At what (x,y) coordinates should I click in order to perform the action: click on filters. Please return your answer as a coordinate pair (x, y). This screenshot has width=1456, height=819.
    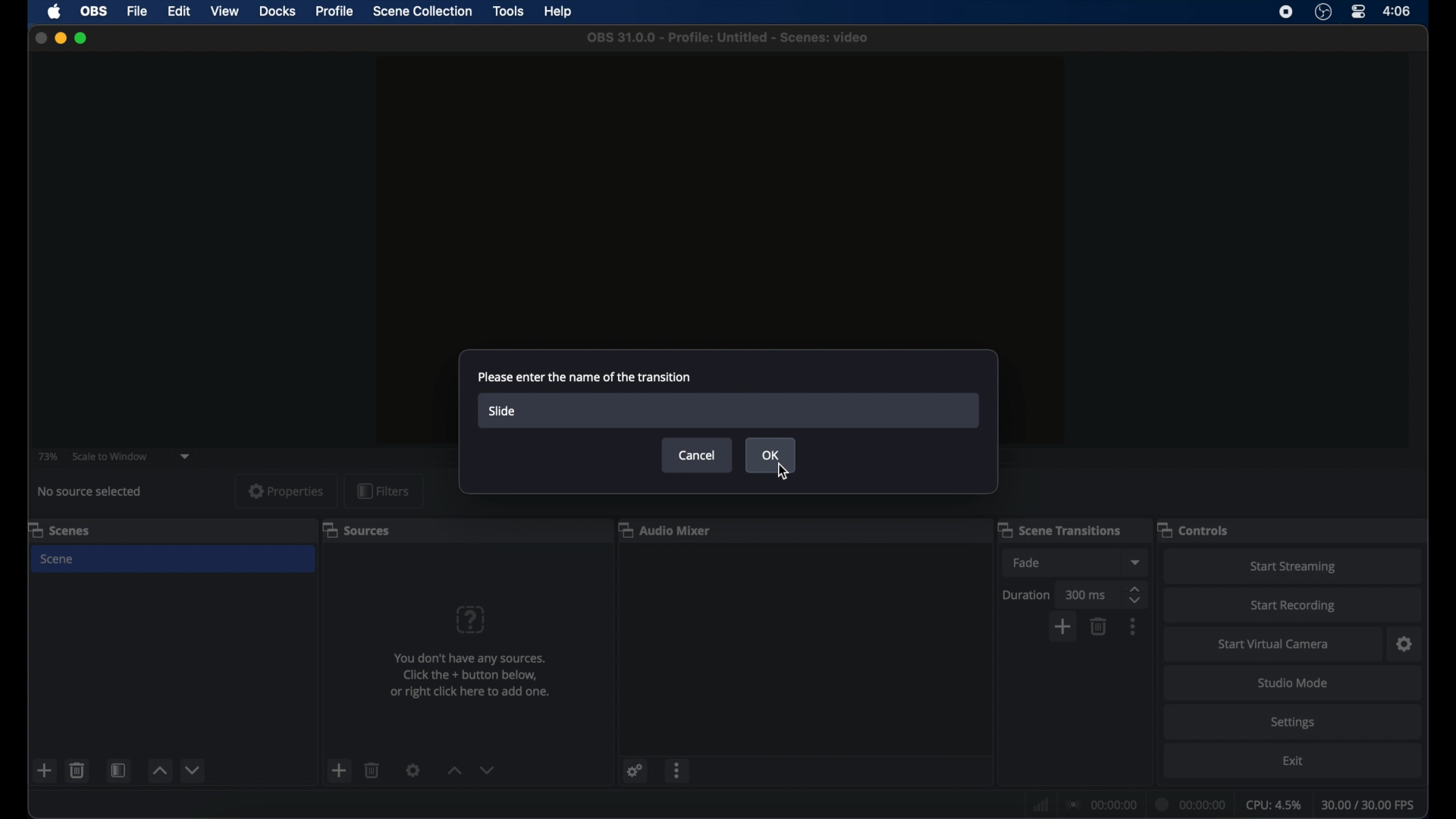
    Looking at the image, I should click on (382, 490).